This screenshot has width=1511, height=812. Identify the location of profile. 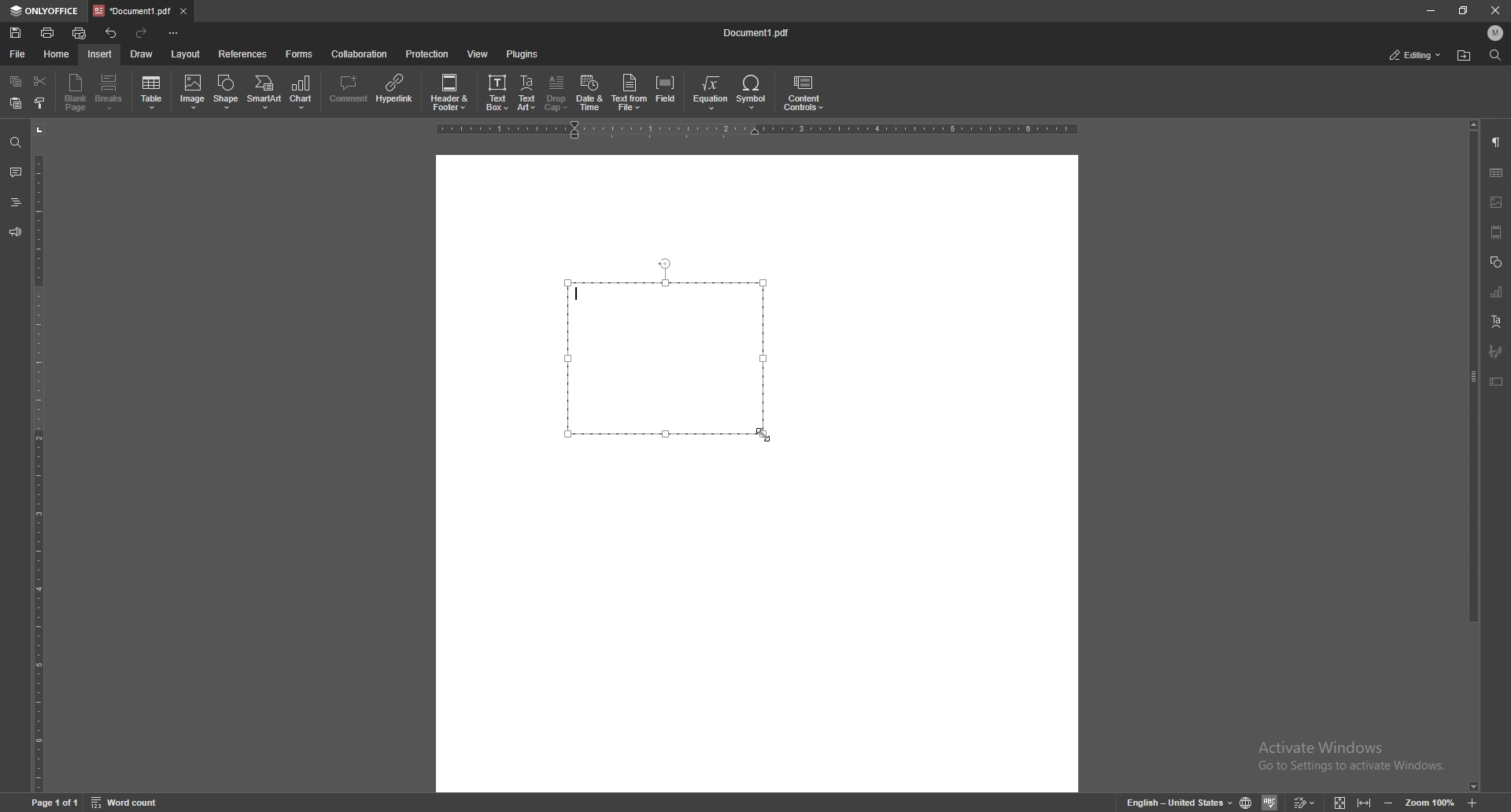
(1496, 33).